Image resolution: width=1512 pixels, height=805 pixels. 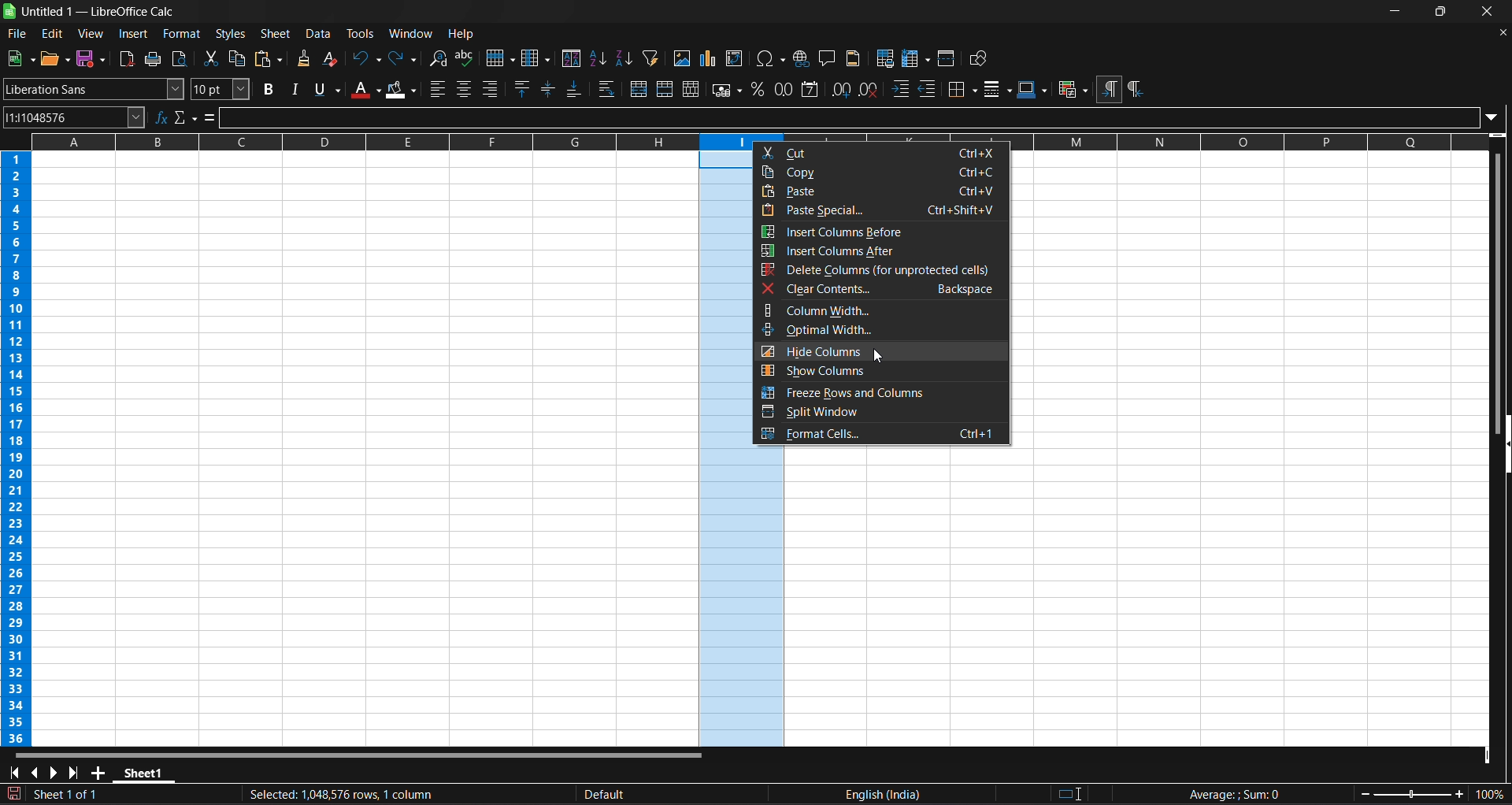 What do you see at coordinates (882, 253) in the screenshot?
I see `insert columns after` at bounding box center [882, 253].